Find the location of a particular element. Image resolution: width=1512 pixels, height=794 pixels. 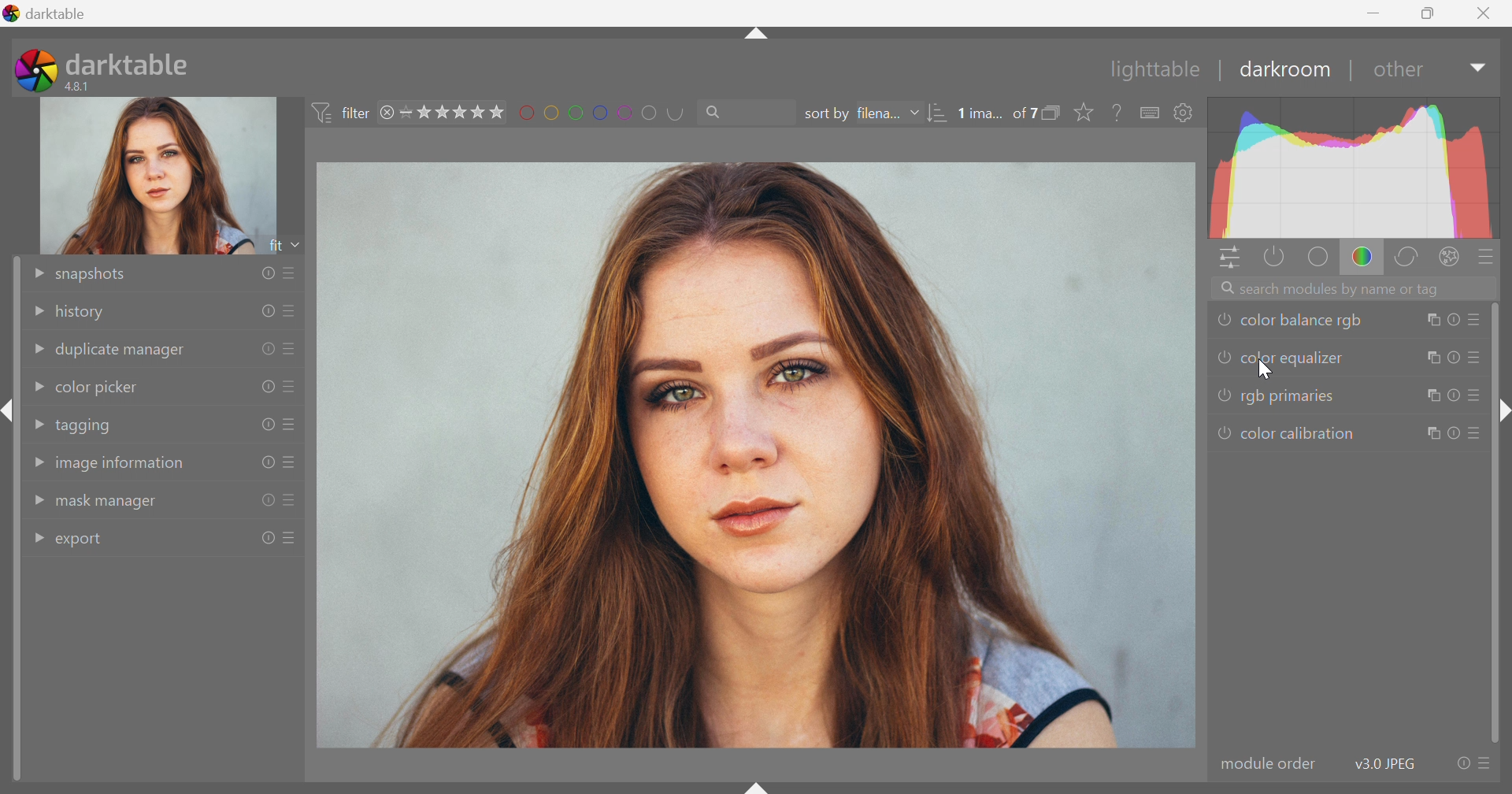

show global preference is located at coordinates (1184, 113).